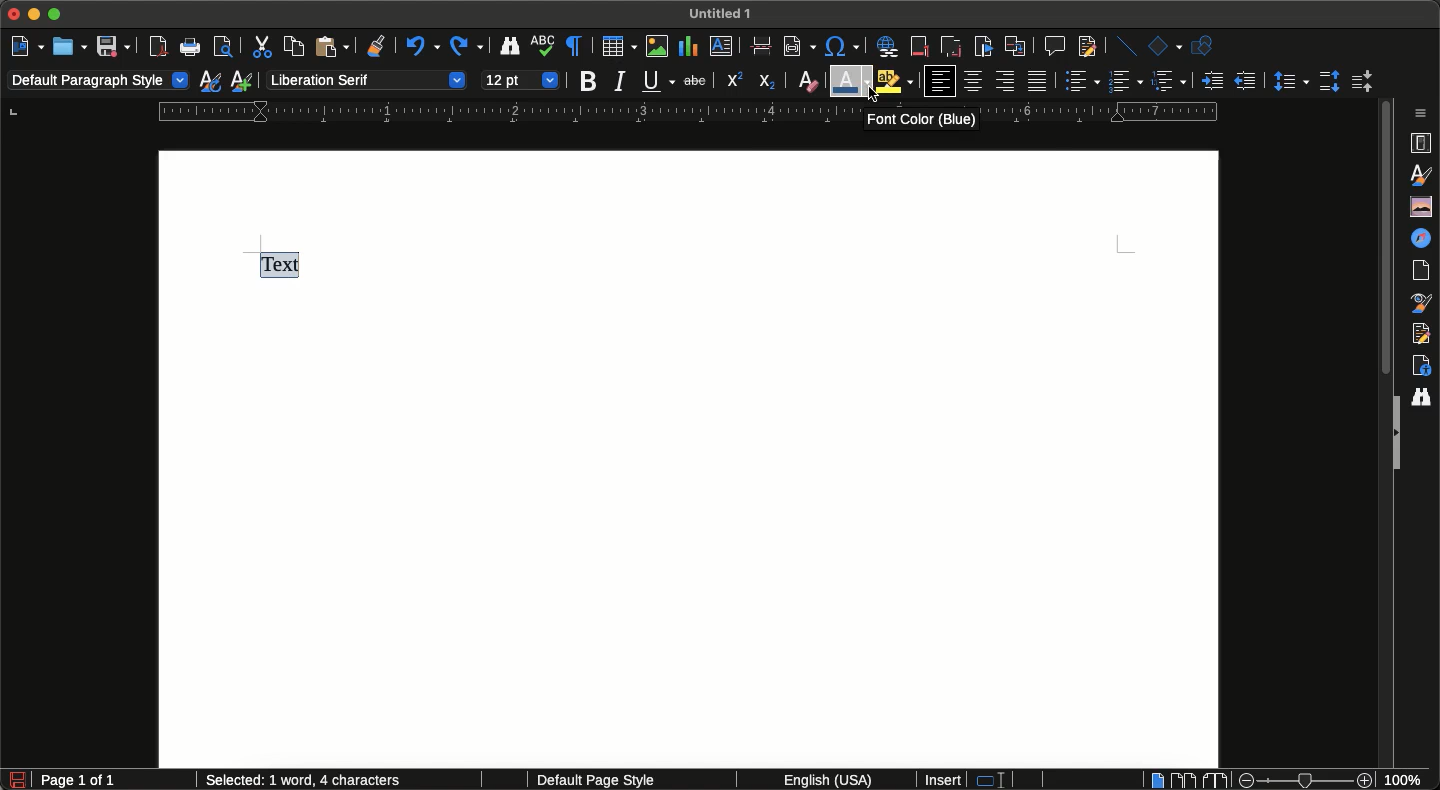 The width and height of the screenshot is (1440, 790). What do you see at coordinates (57, 14) in the screenshot?
I see `Maximize` at bounding box center [57, 14].